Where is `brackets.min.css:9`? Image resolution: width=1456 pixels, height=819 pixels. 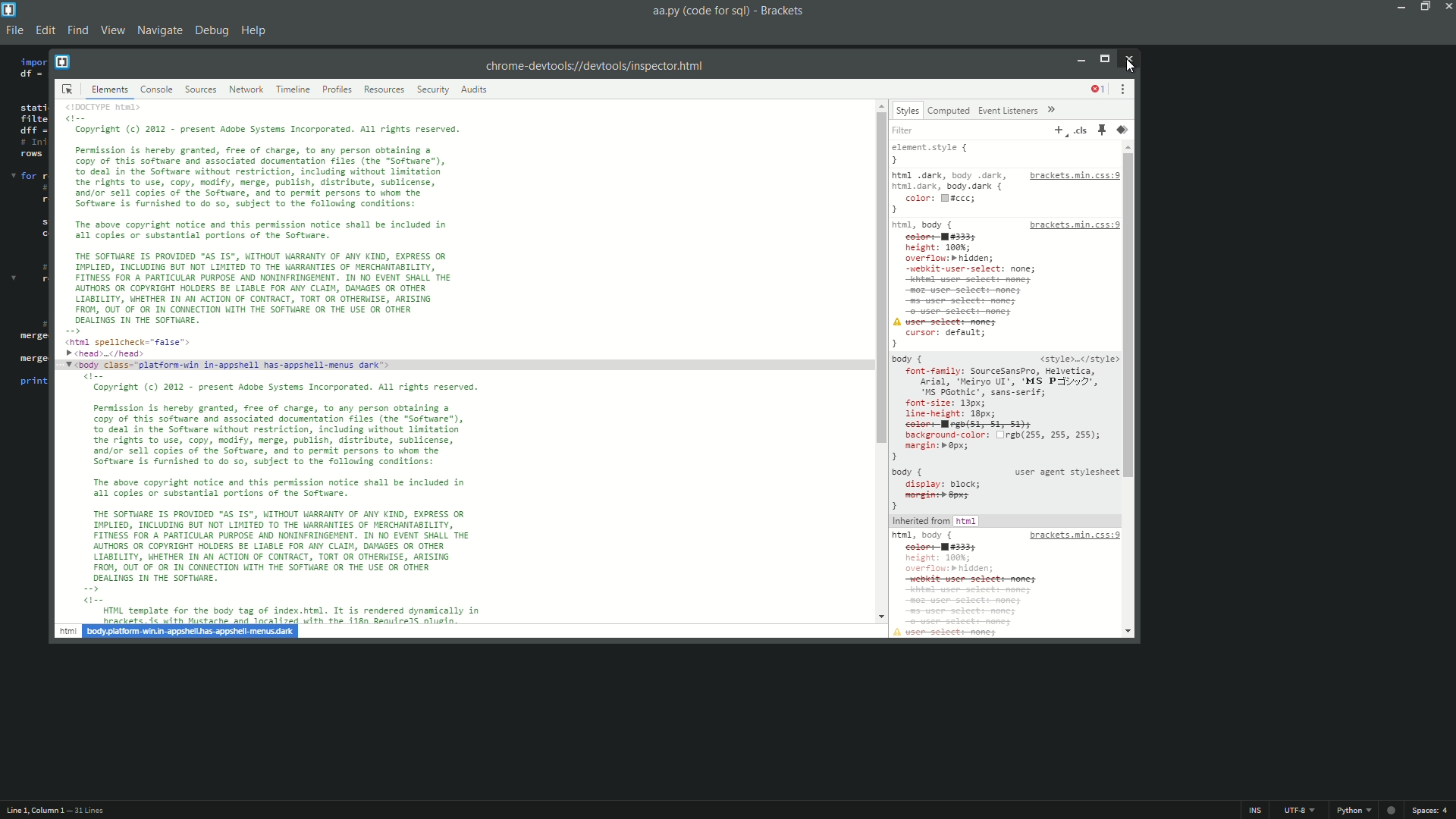
brackets.min.css:9 is located at coordinates (1073, 176).